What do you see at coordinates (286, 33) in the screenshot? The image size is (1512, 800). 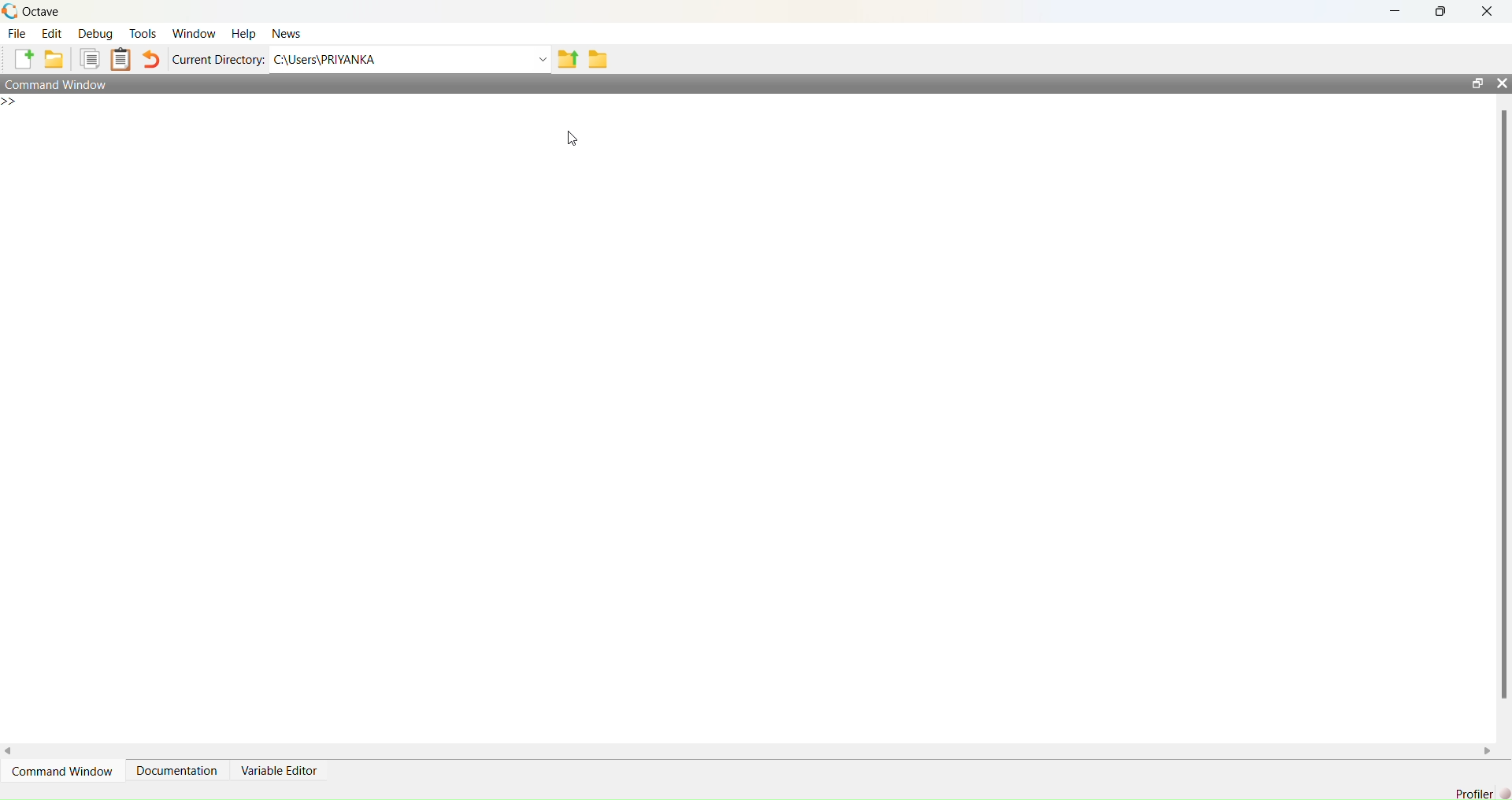 I see `News` at bounding box center [286, 33].